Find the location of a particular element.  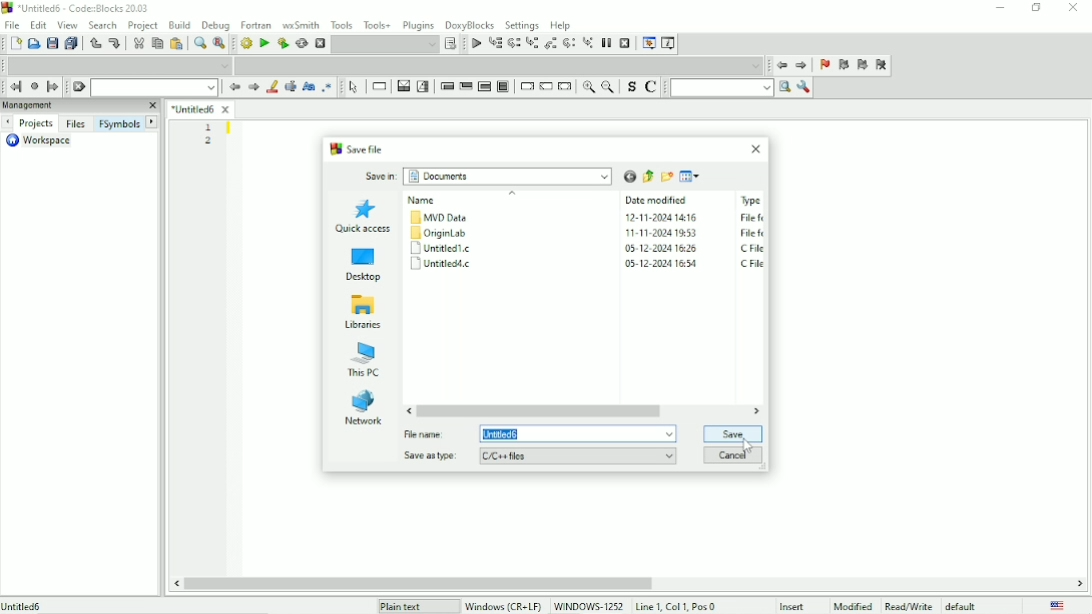

Stop debugger is located at coordinates (624, 43).